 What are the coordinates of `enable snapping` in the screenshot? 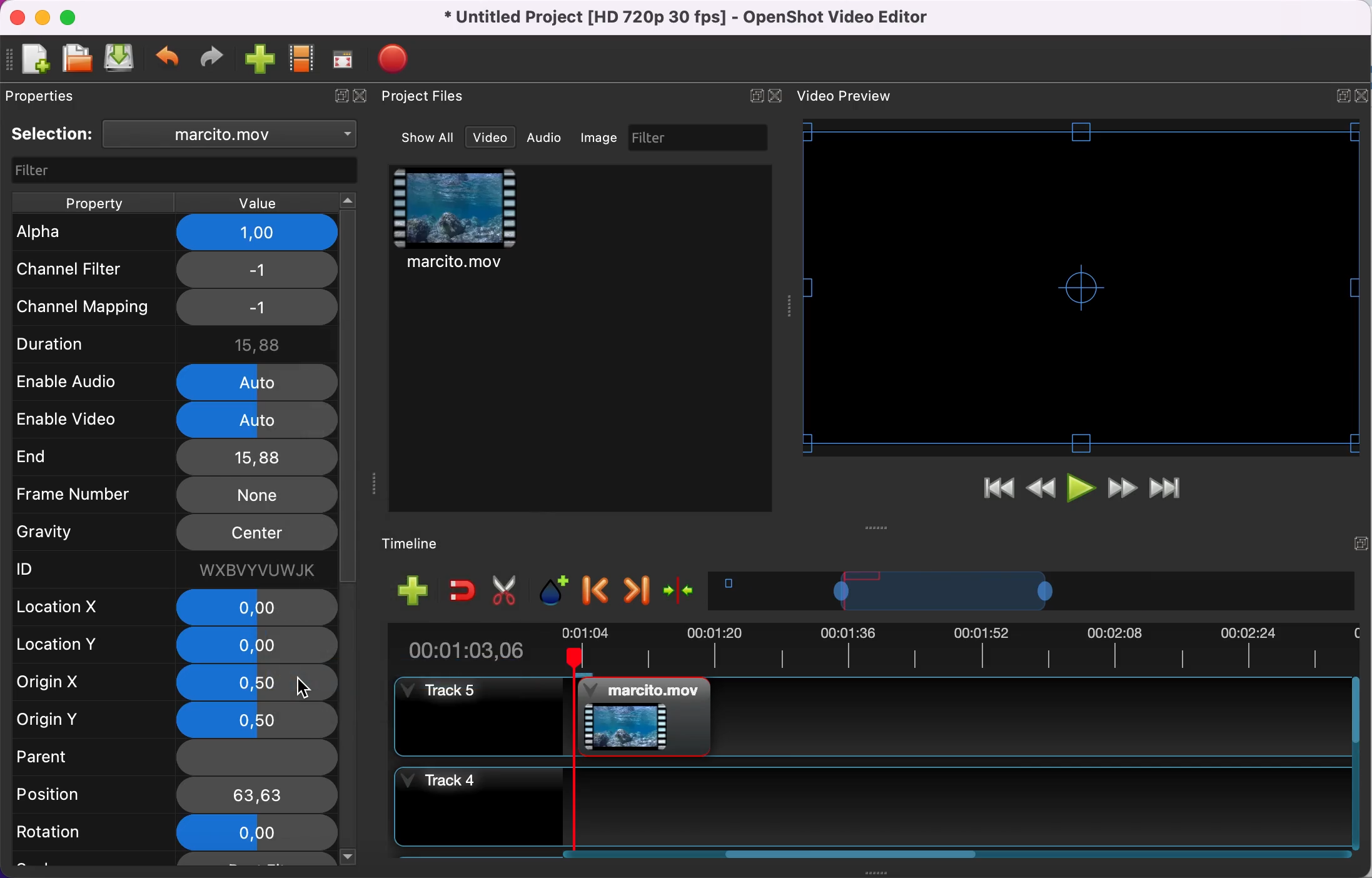 It's located at (463, 589).